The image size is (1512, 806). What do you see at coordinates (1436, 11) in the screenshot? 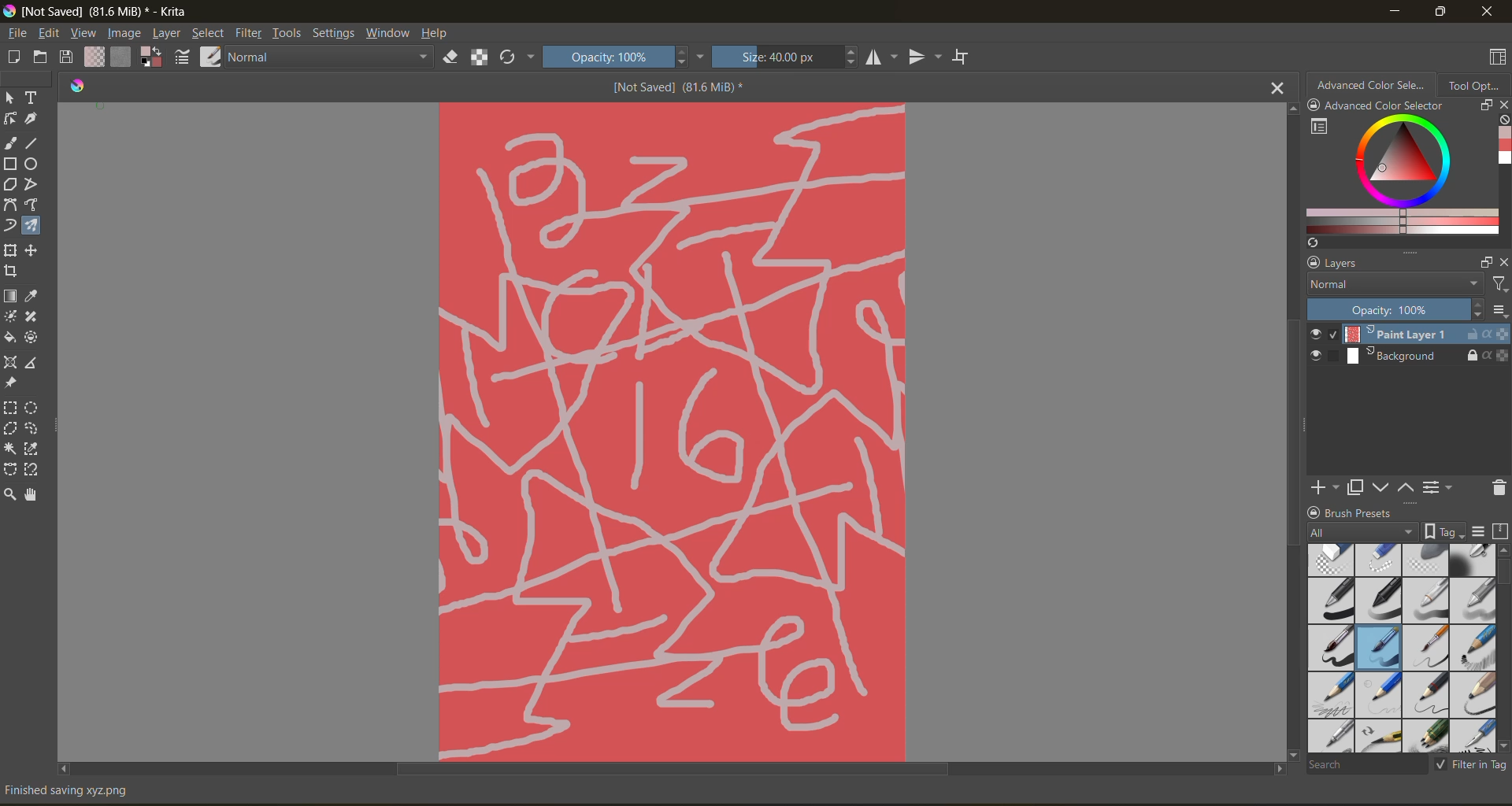
I see `maximize` at bounding box center [1436, 11].